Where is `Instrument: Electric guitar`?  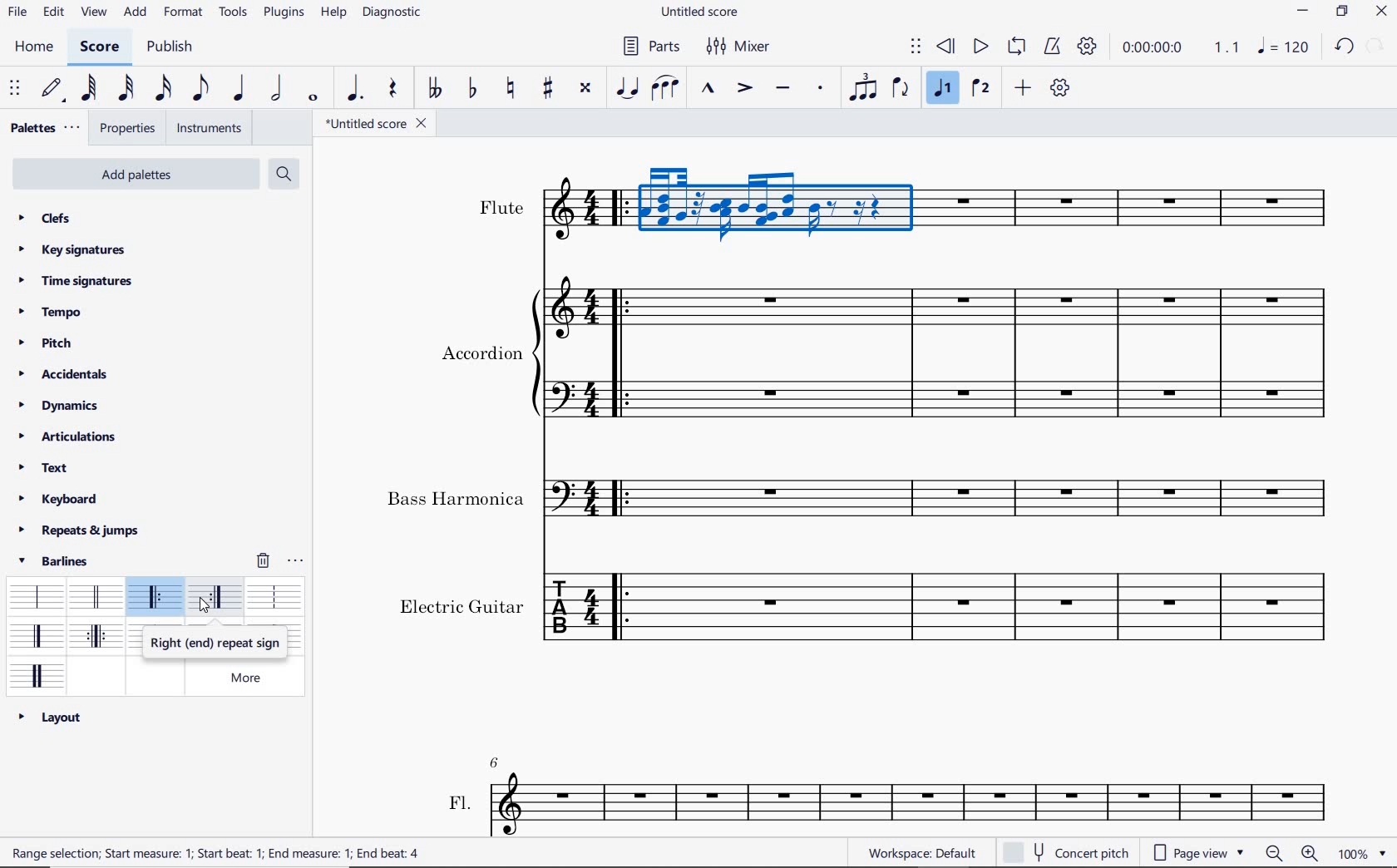 Instrument: Electric guitar is located at coordinates (994, 353).